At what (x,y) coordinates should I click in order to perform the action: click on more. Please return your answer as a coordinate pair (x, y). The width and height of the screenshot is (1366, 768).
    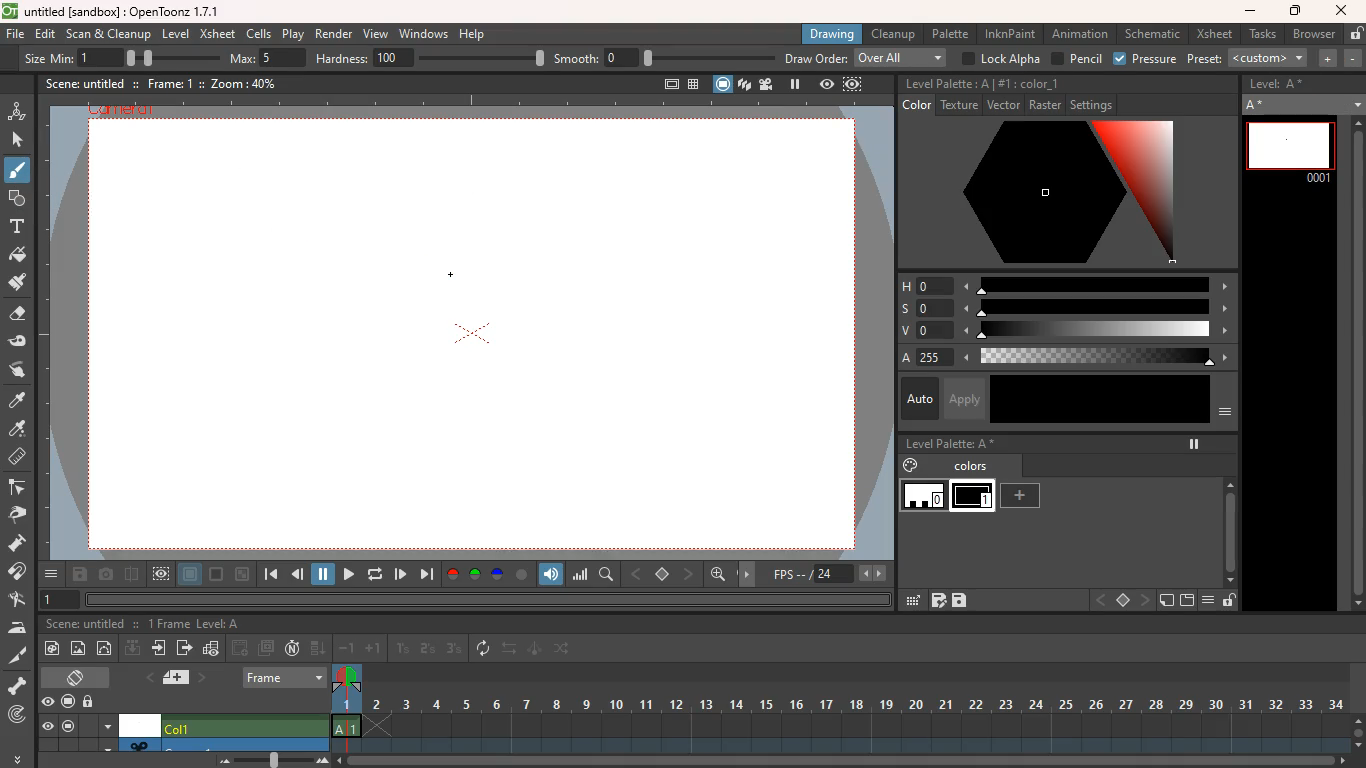
    Looking at the image, I should click on (16, 758).